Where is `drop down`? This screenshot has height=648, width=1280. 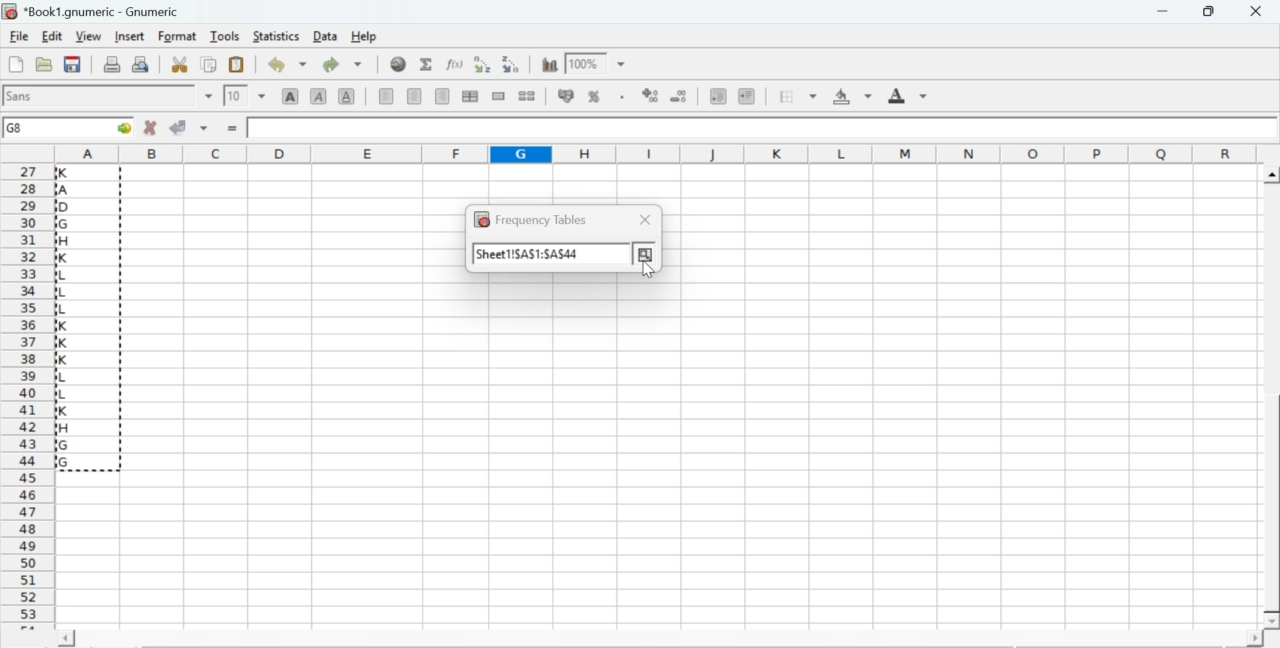
drop down is located at coordinates (622, 65).